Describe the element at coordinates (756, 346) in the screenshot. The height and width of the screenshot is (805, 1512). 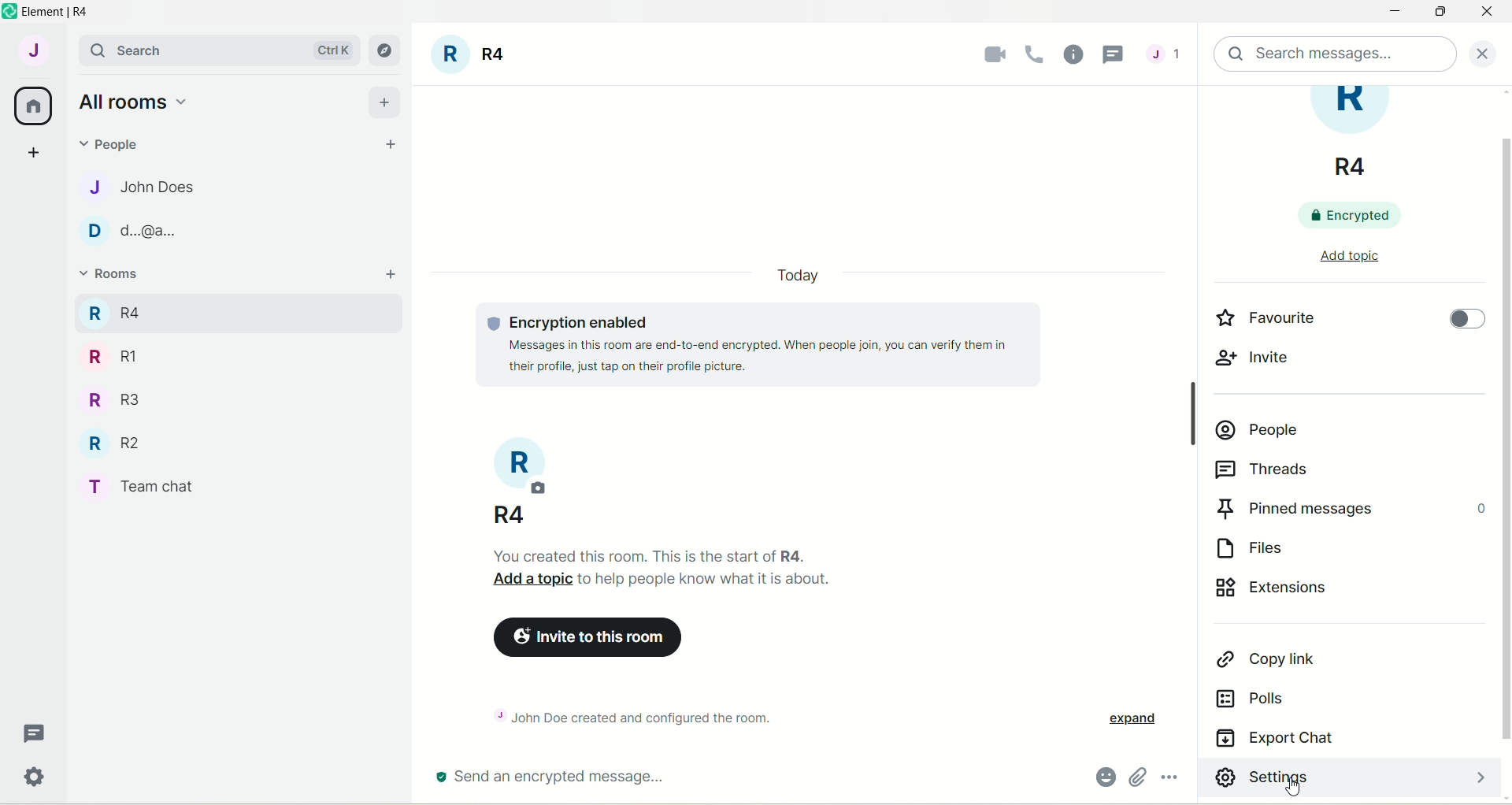
I see `© Encryption enabled
Messages in this room are end-to-end encrypted. When people join, you can verify them in their
profile, just tap on their profile picture.` at that location.